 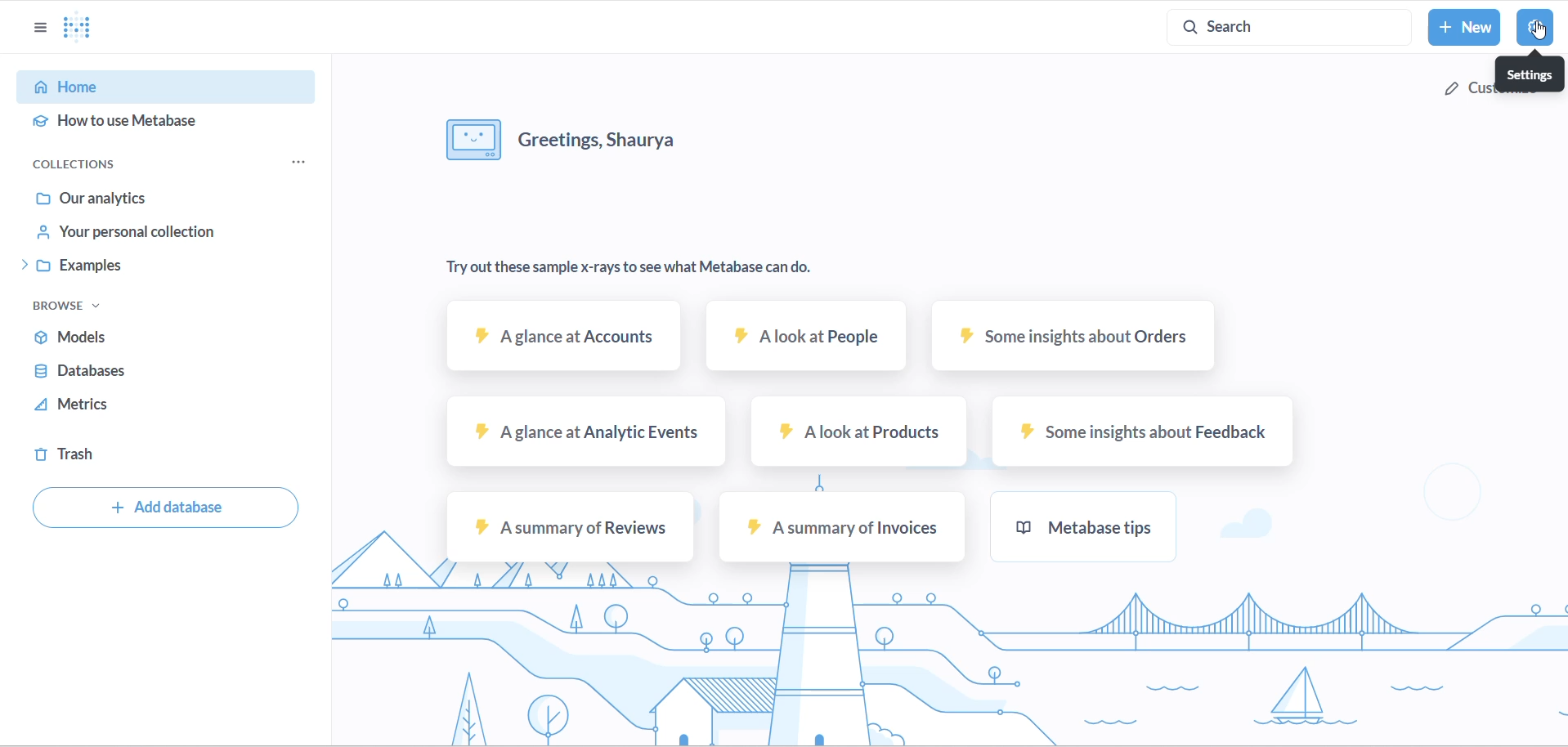 What do you see at coordinates (841, 528) in the screenshot?
I see `A summary of invoices sample` at bounding box center [841, 528].